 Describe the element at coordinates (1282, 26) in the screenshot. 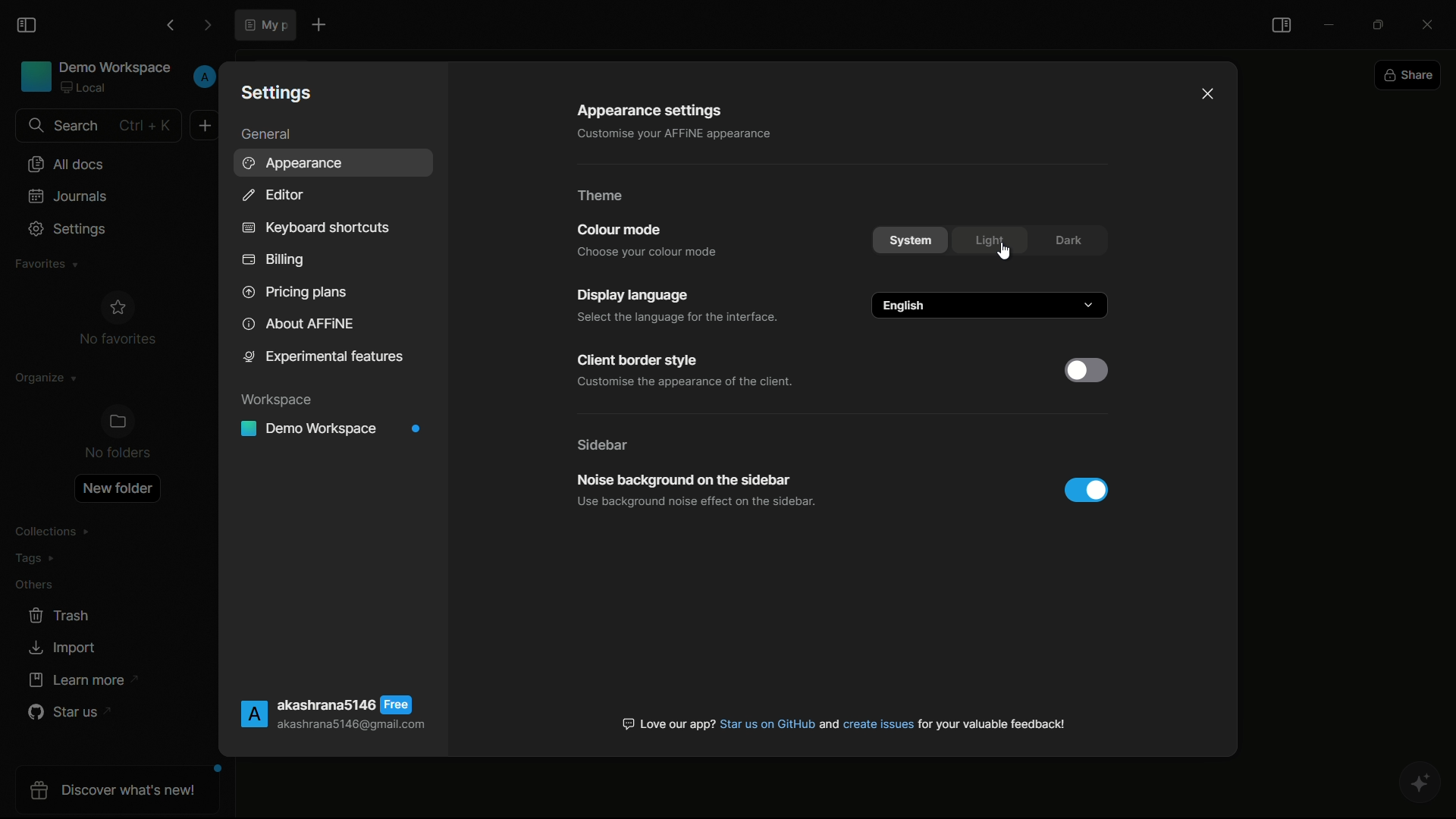

I see `toggle sidebar` at that location.